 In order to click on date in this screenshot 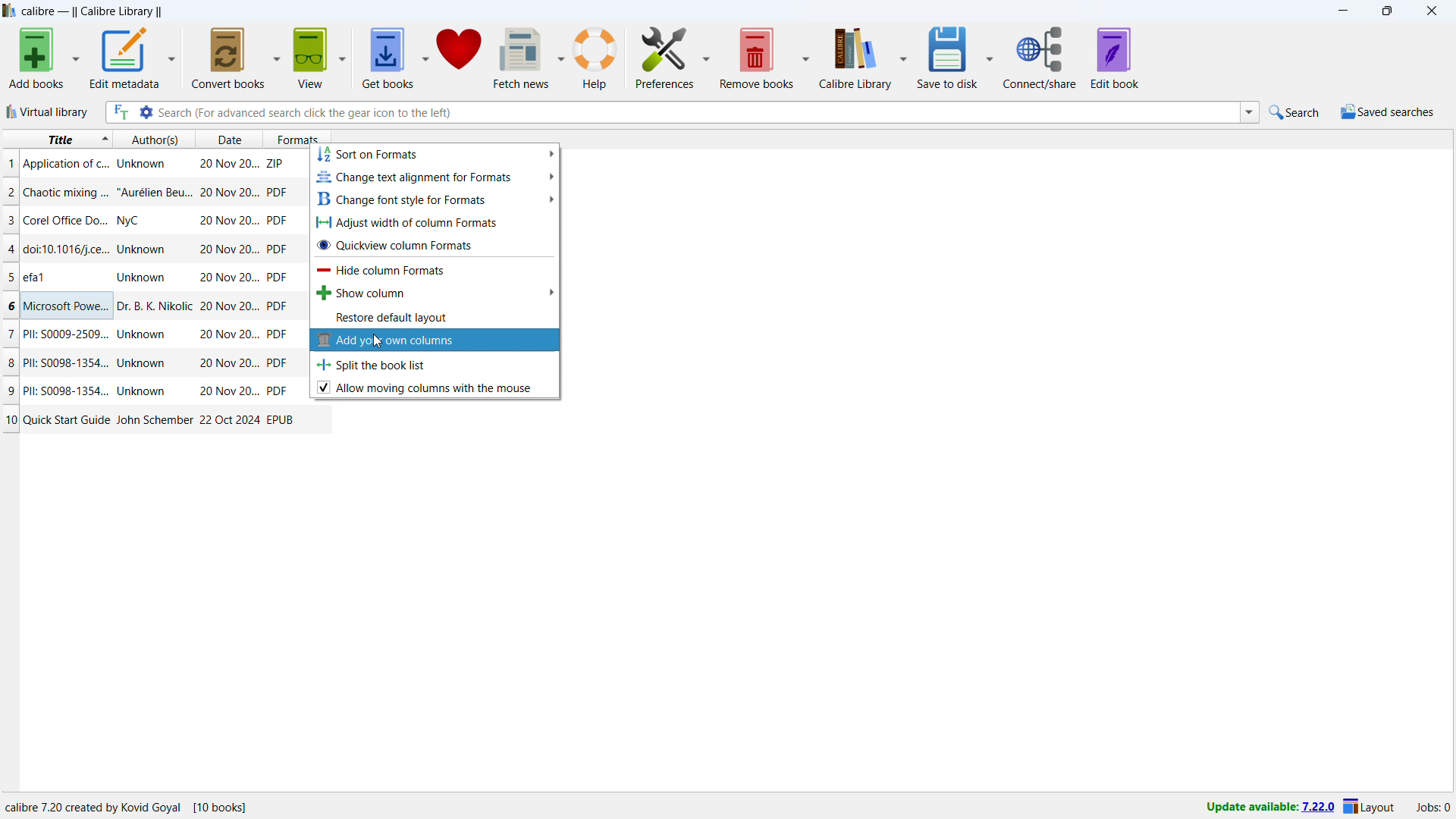, I will do `click(230, 334)`.